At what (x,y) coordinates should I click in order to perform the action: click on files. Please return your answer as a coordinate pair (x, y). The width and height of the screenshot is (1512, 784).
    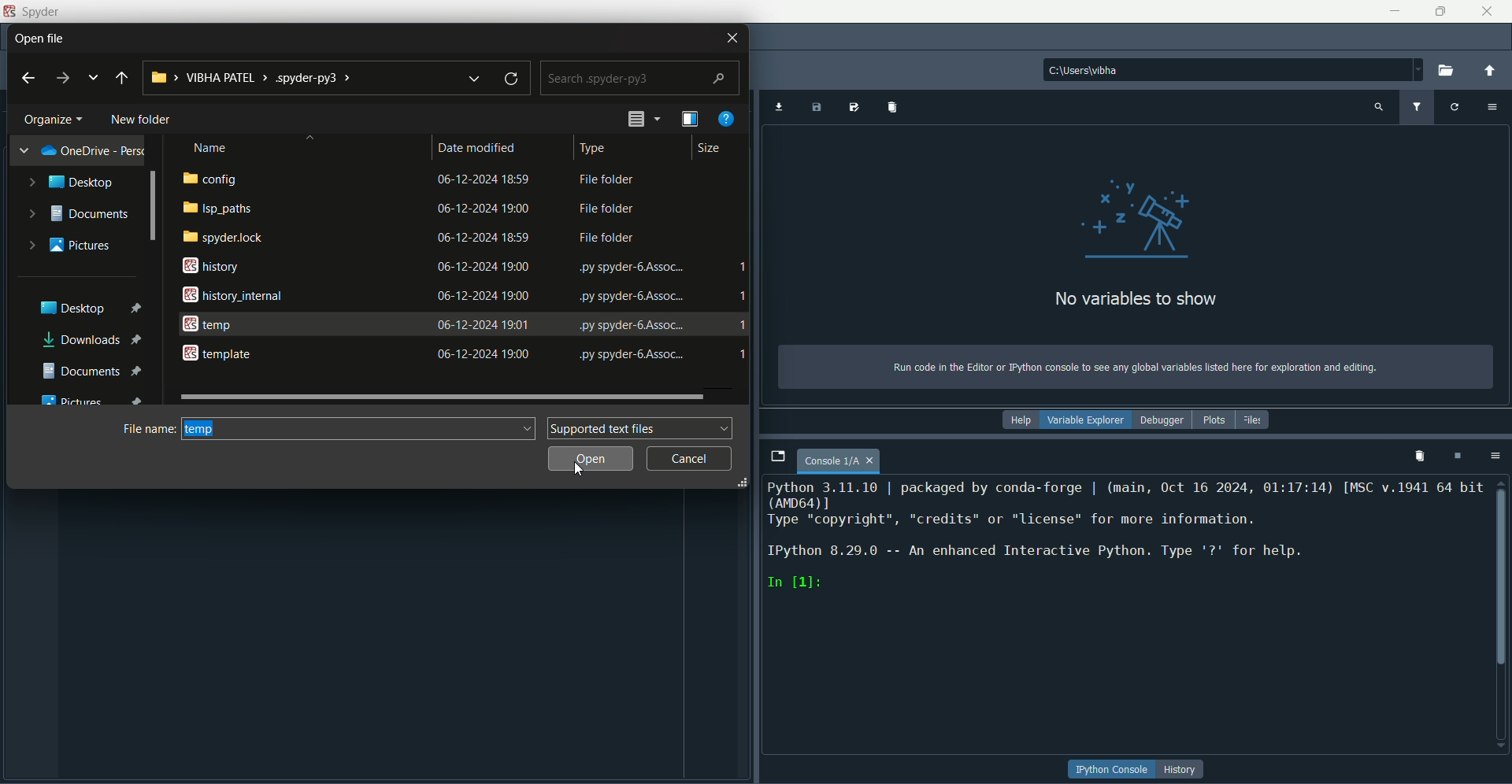
    Looking at the image, I should click on (1254, 419).